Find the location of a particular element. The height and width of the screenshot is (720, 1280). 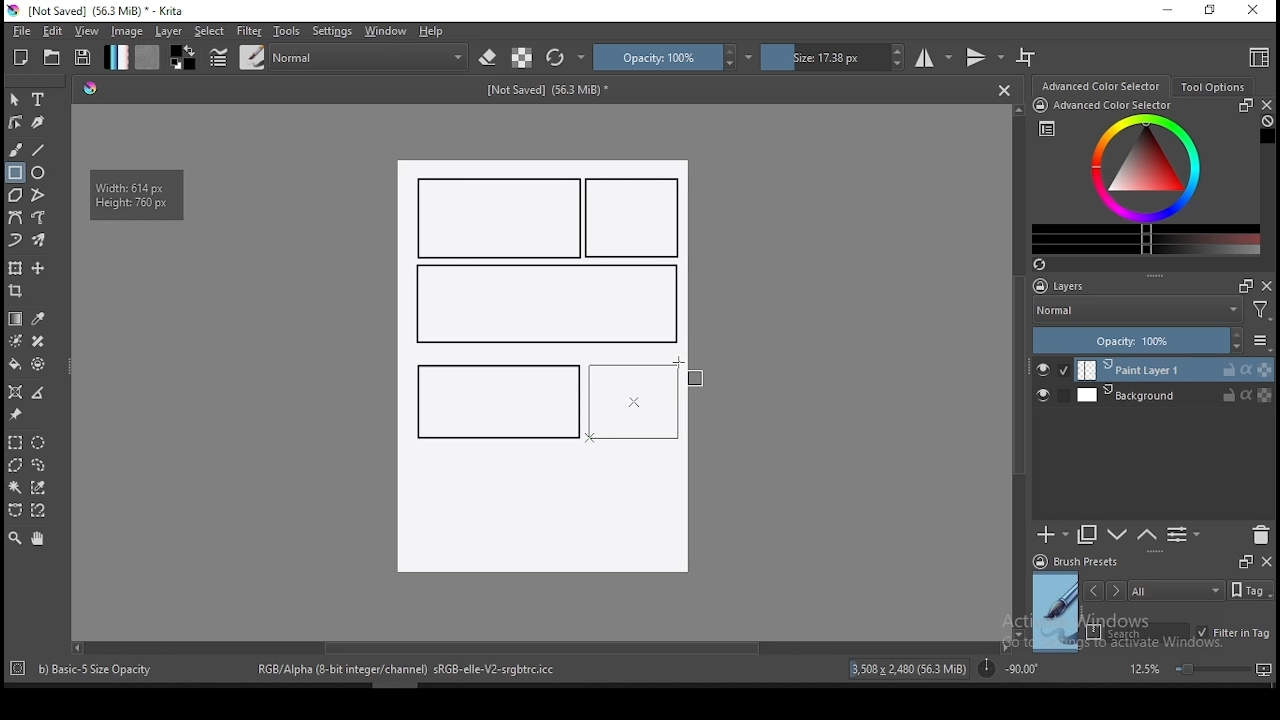

gradient tool is located at coordinates (16, 319).